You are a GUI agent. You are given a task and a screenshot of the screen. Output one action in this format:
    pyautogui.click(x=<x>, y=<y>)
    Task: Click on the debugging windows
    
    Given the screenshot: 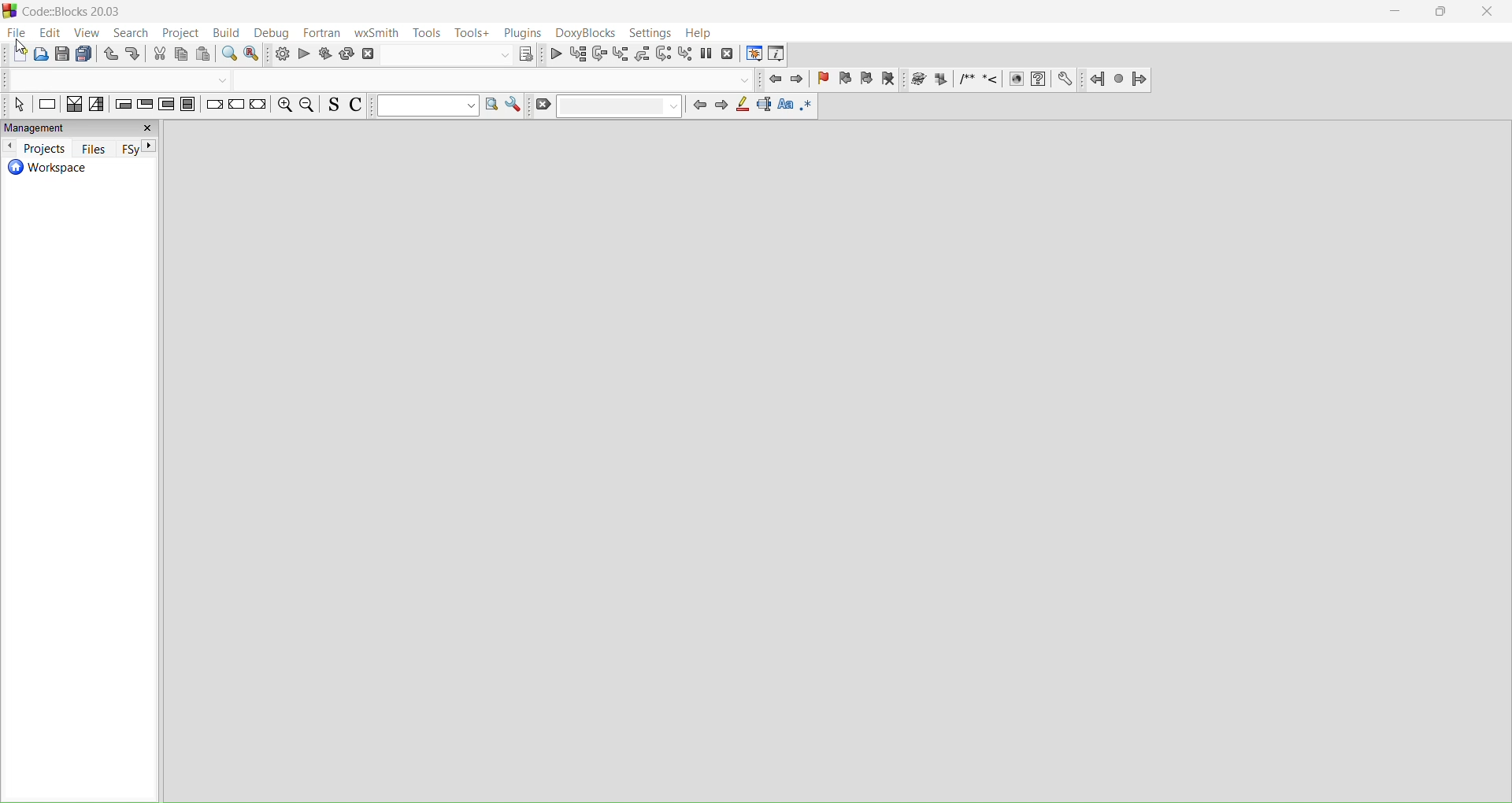 What is the action you would take?
    pyautogui.click(x=751, y=54)
    